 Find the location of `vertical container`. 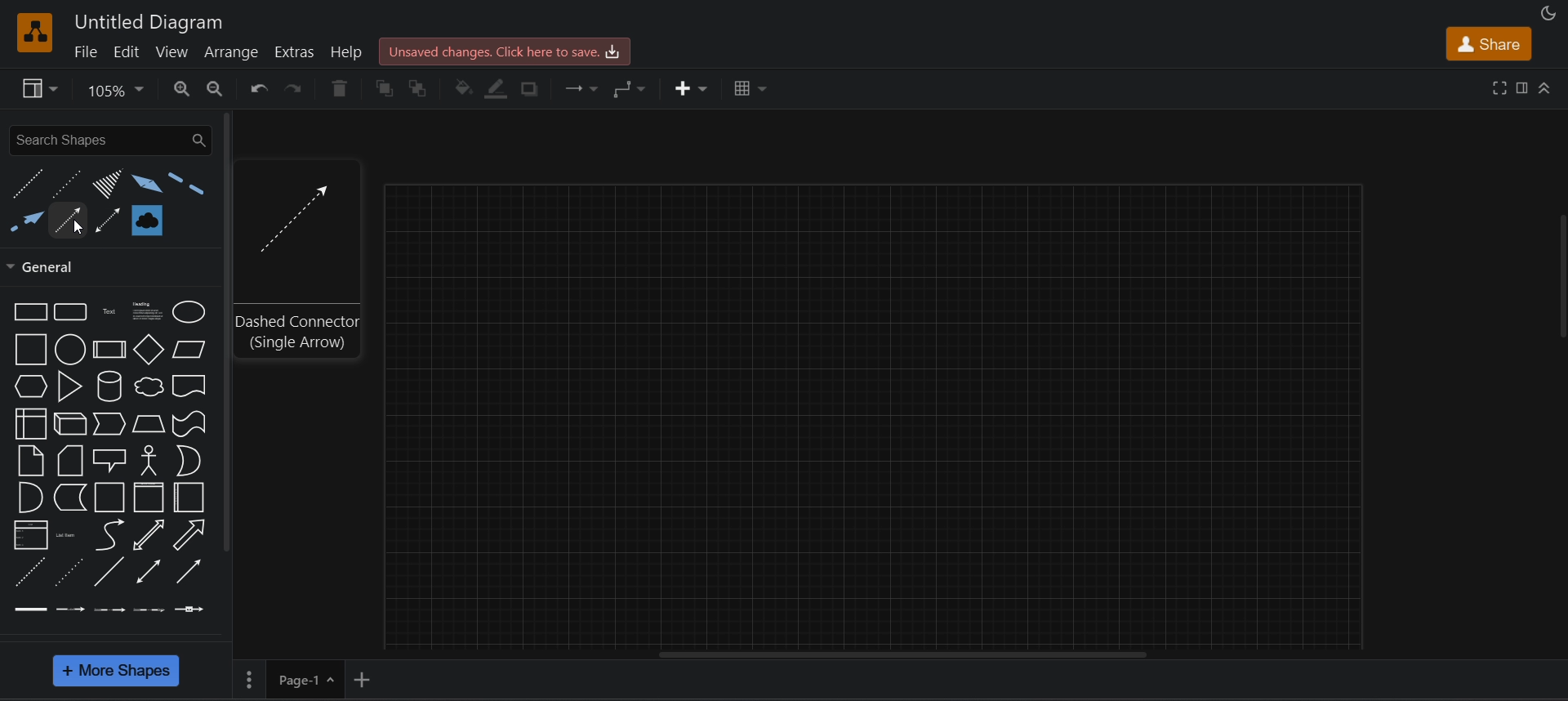

vertical container is located at coordinates (151, 497).